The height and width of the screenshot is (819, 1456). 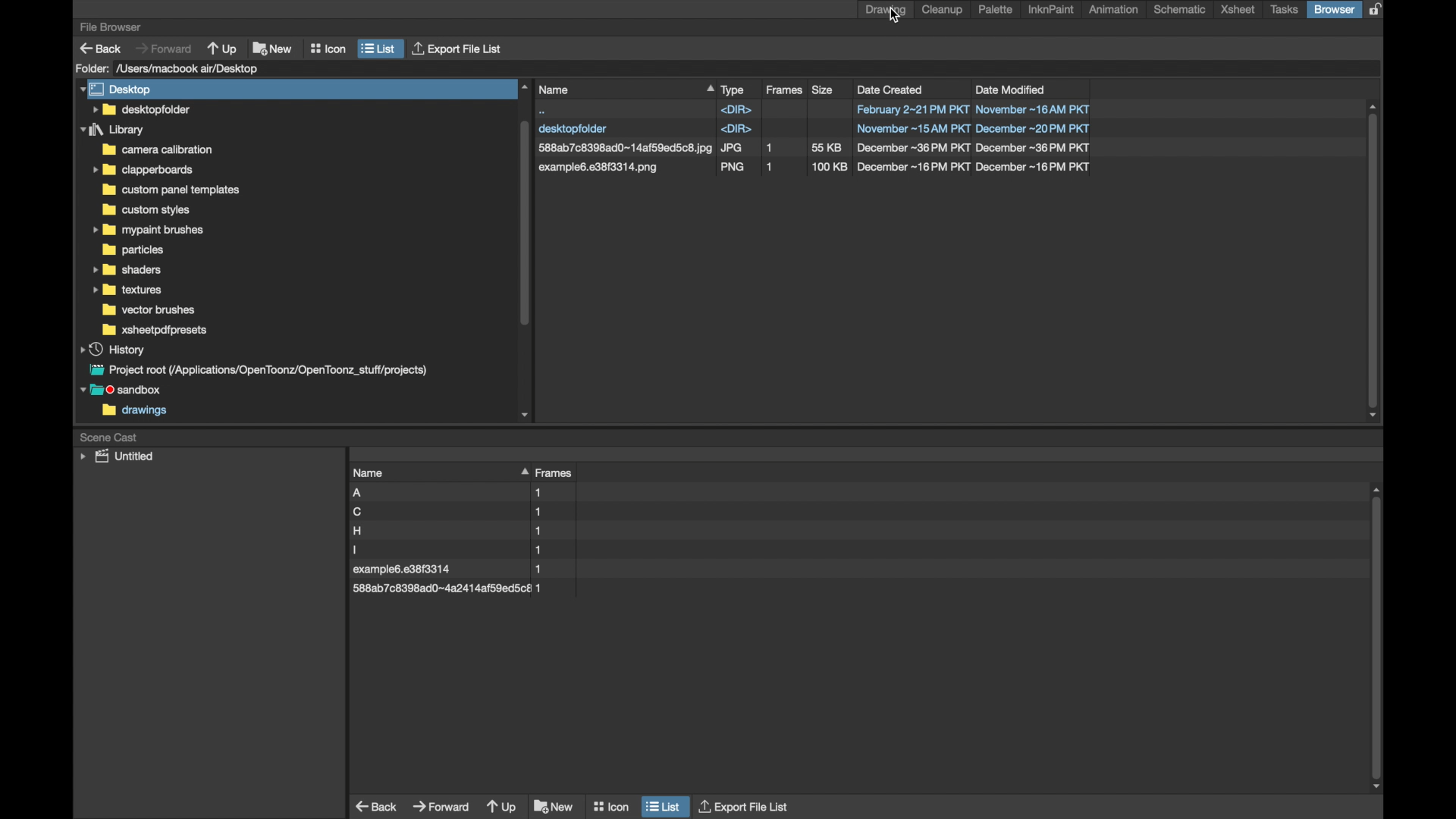 I want to click on project, so click(x=256, y=370).